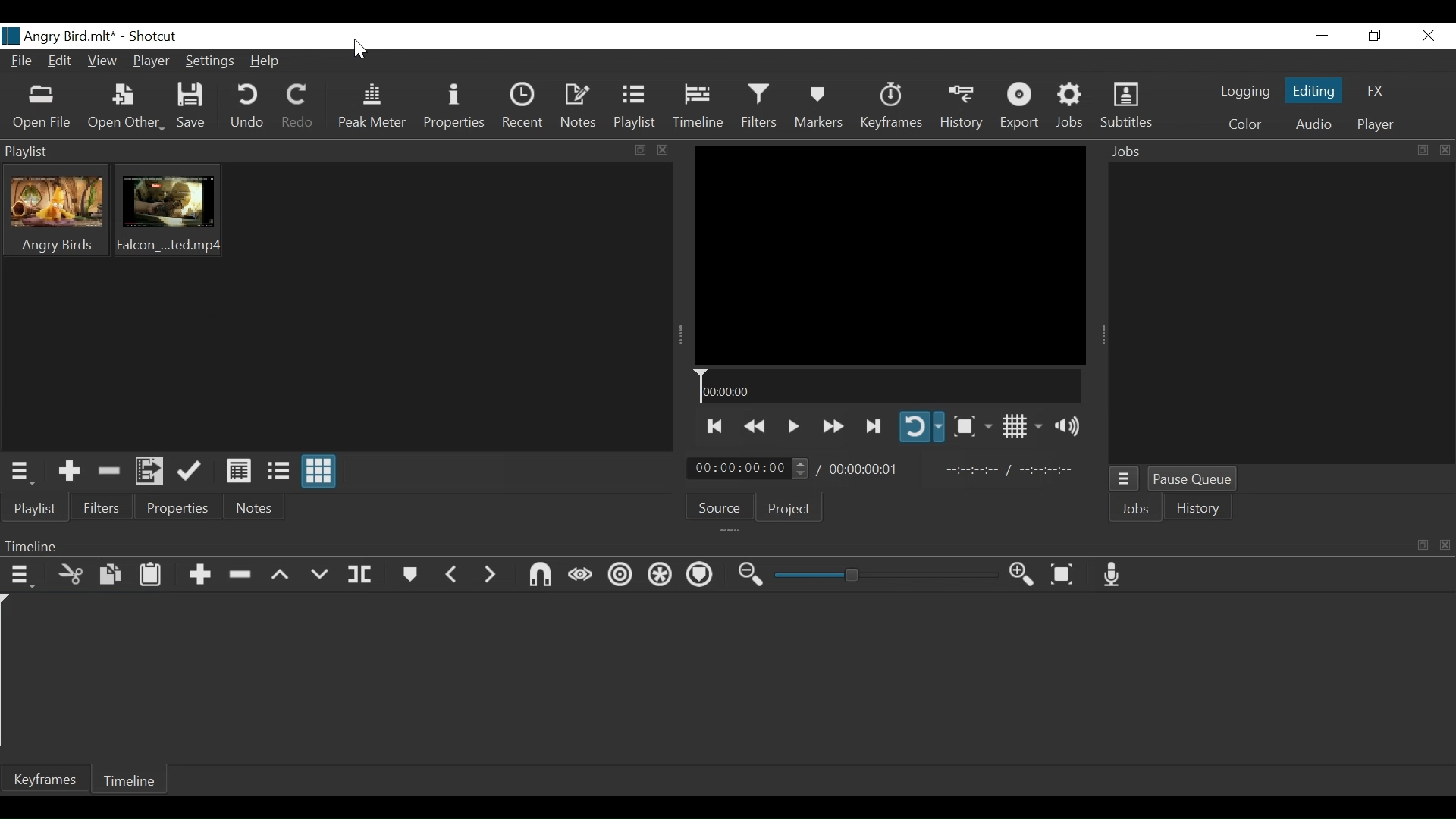 The height and width of the screenshot is (819, 1456). I want to click on Save, so click(192, 108).